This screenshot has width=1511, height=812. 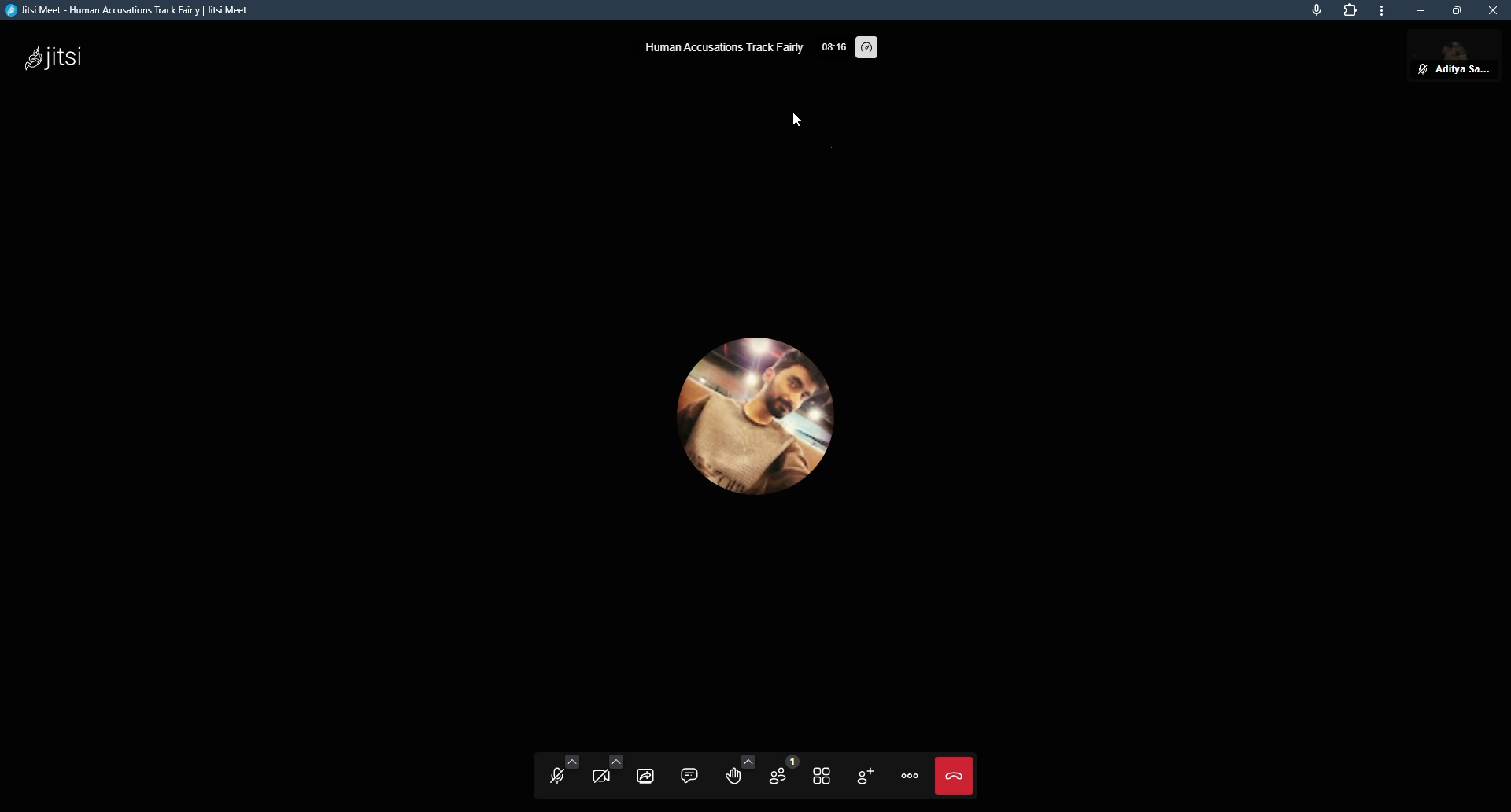 I want to click on mic, so click(x=1315, y=9).